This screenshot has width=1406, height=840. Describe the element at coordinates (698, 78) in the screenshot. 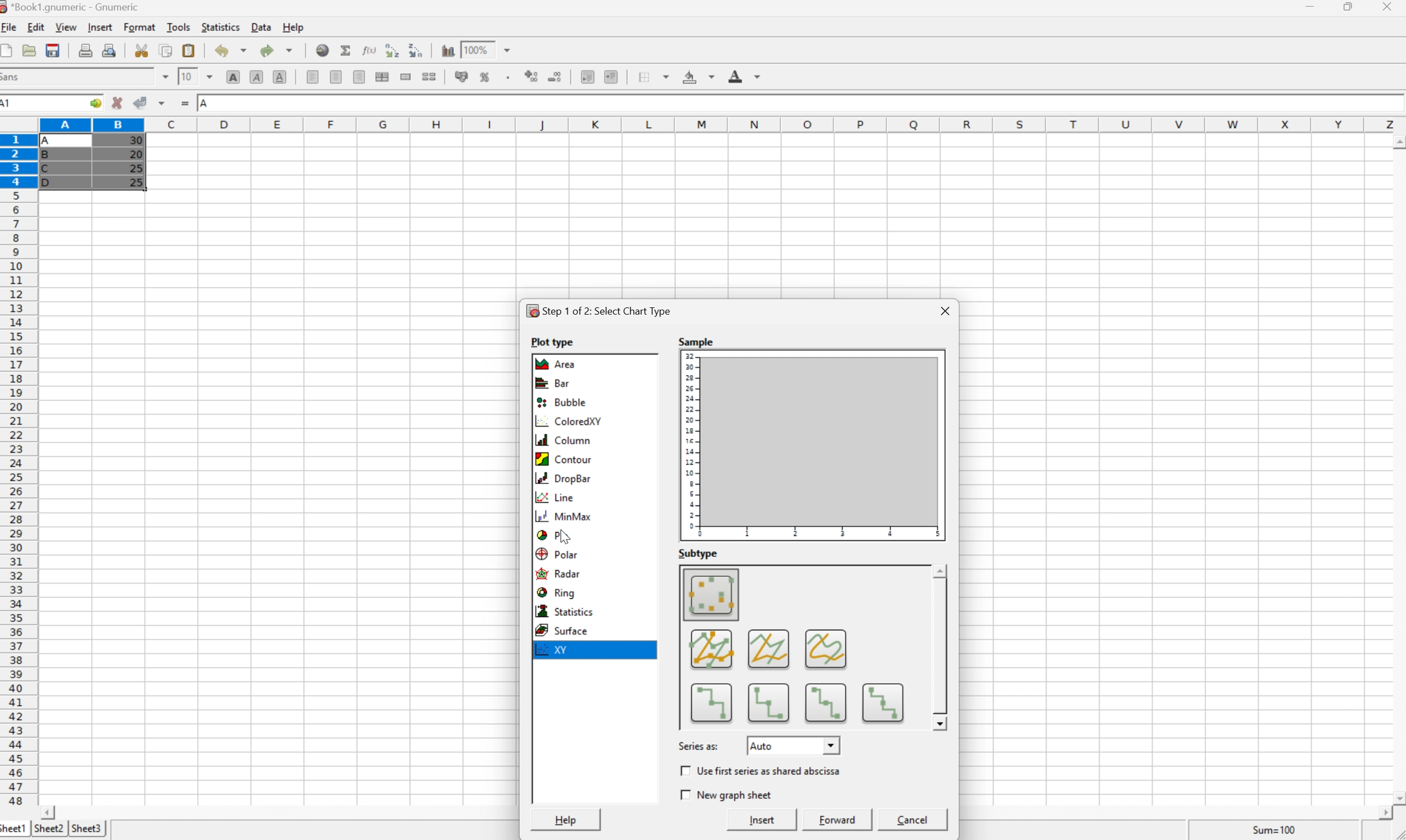

I see `Background` at that location.